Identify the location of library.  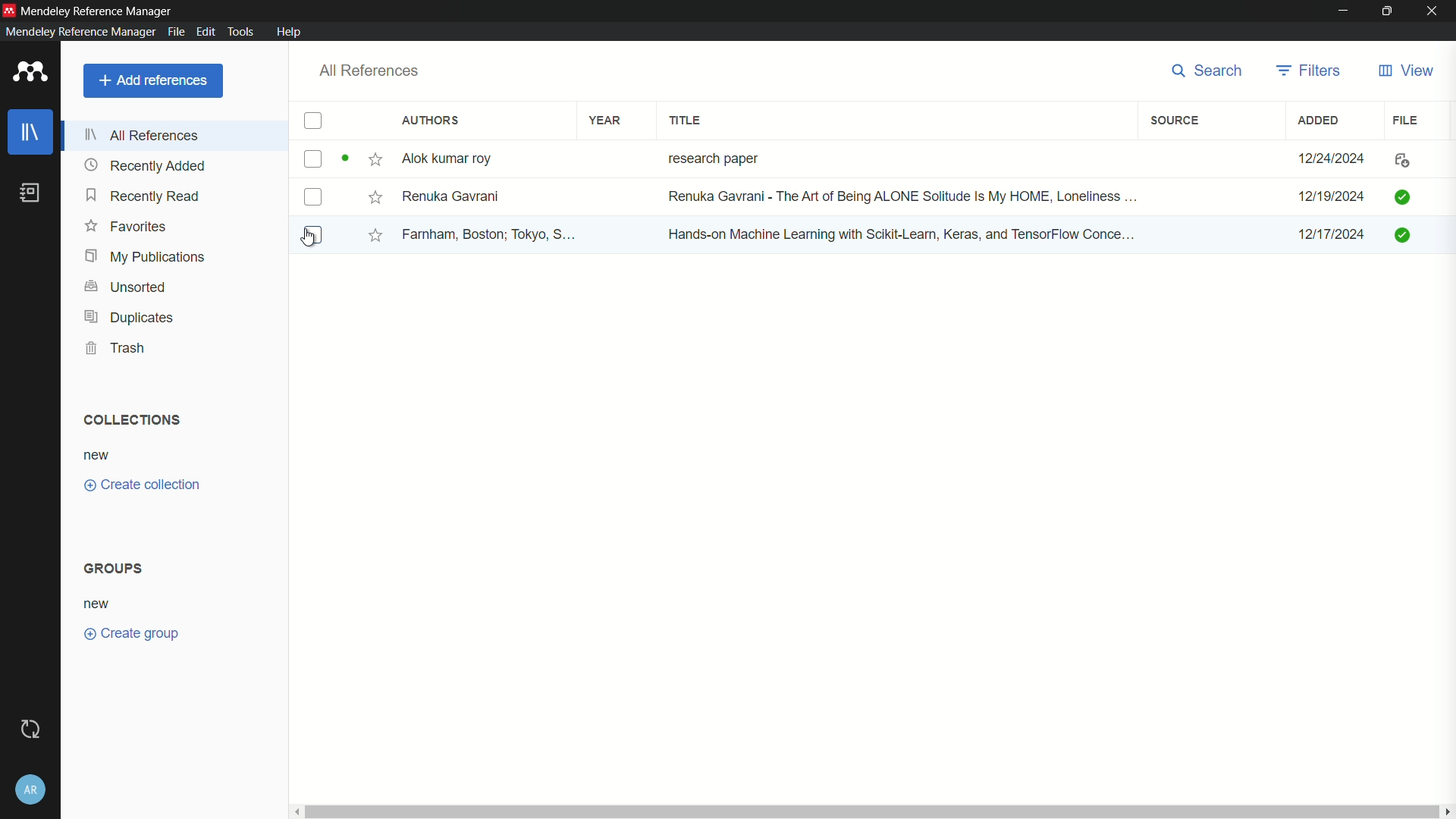
(31, 133).